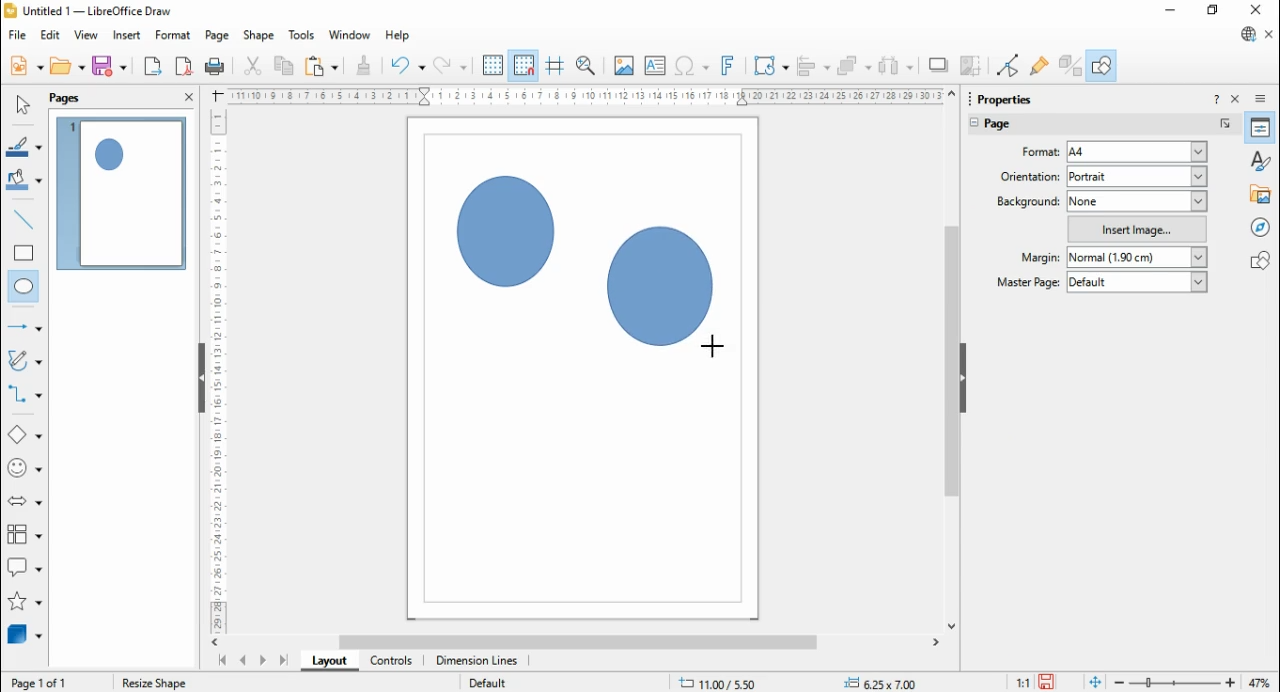 Image resolution: width=1280 pixels, height=692 pixels. Describe the element at coordinates (214, 66) in the screenshot. I see `print` at that location.